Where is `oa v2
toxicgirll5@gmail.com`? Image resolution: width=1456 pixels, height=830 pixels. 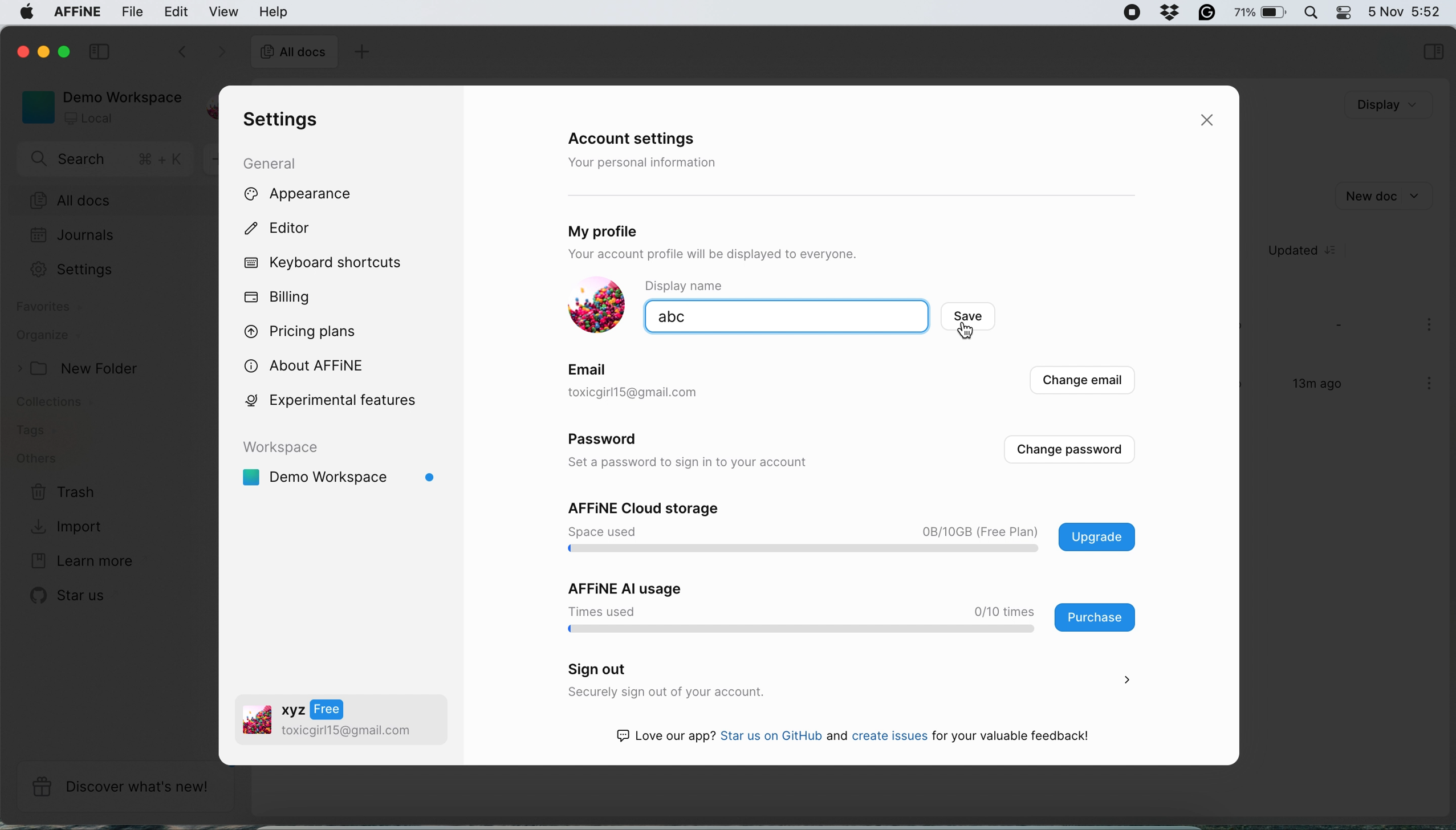
oa v2
toxicgirll5@gmail.com is located at coordinates (328, 722).